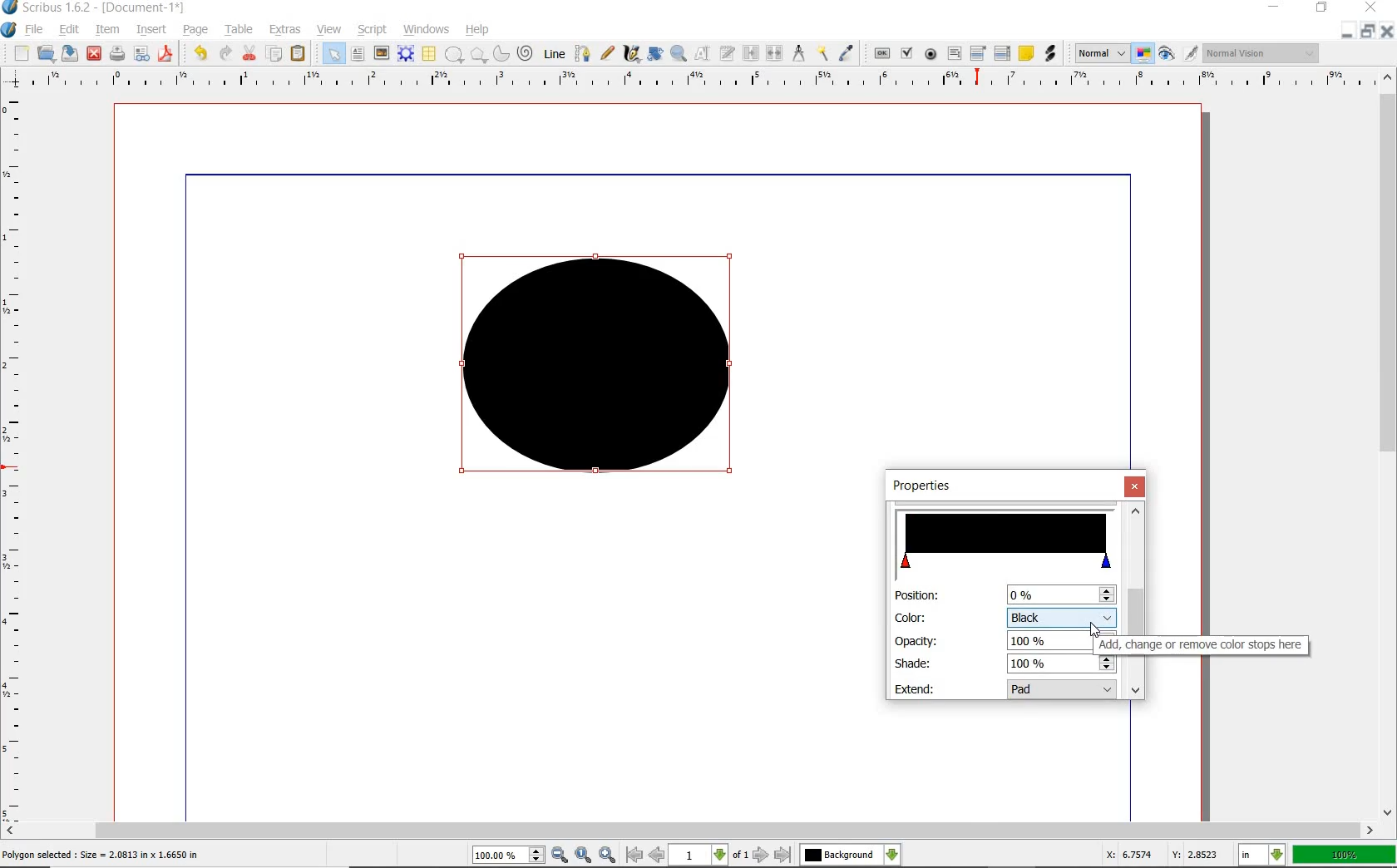  What do you see at coordinates (1387, 32) in the screenshot?
I see `CLOSE` at bounding box center [1387, 32].